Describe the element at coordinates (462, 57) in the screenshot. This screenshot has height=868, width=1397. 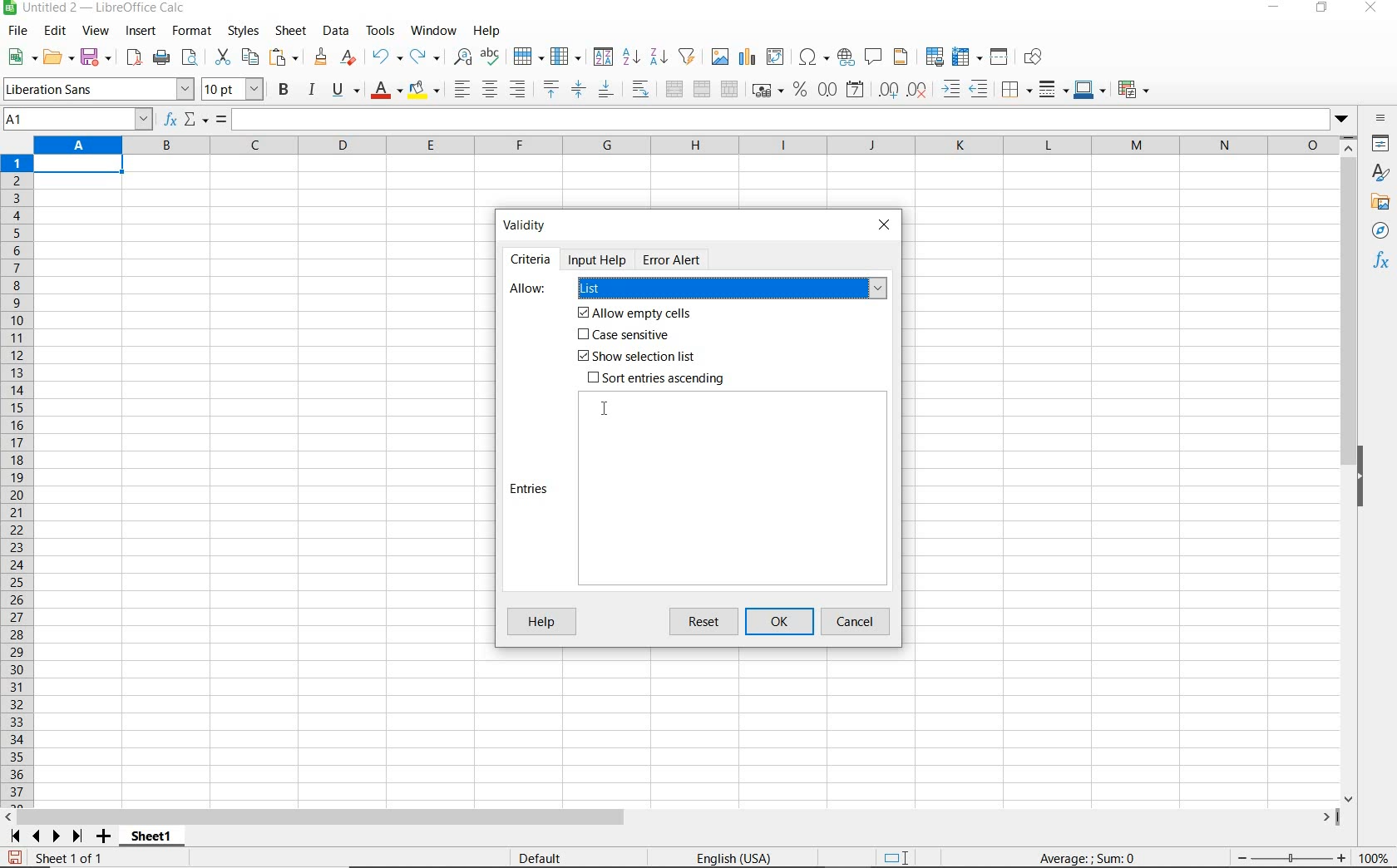
I see `find and replace` at that location.